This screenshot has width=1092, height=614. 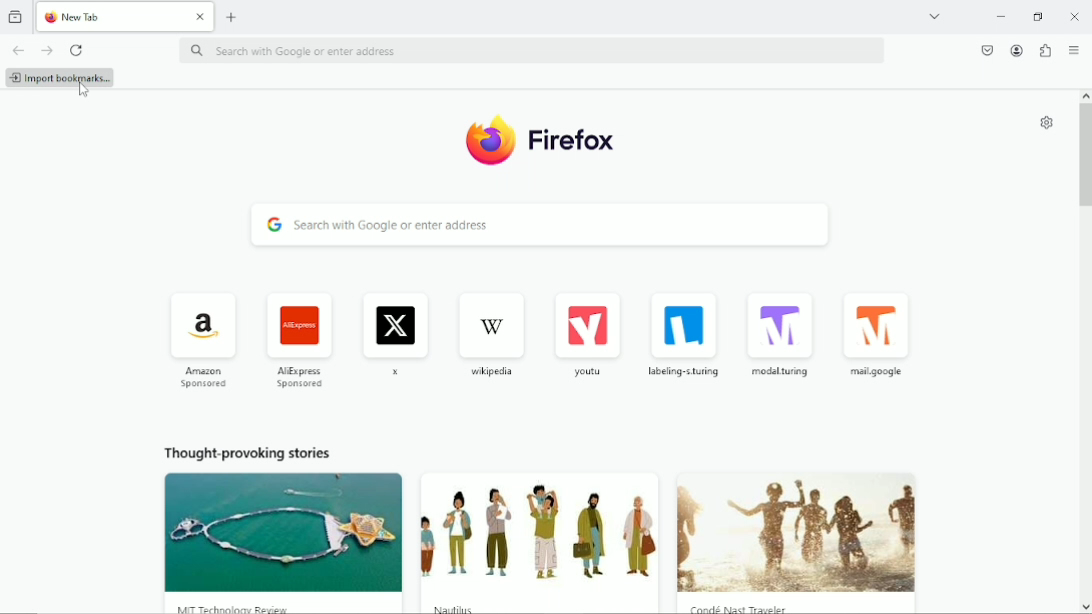 What do you see at coordinates (395, 336) in the screenshot?
I see `x` at bounding box center [395, 336].